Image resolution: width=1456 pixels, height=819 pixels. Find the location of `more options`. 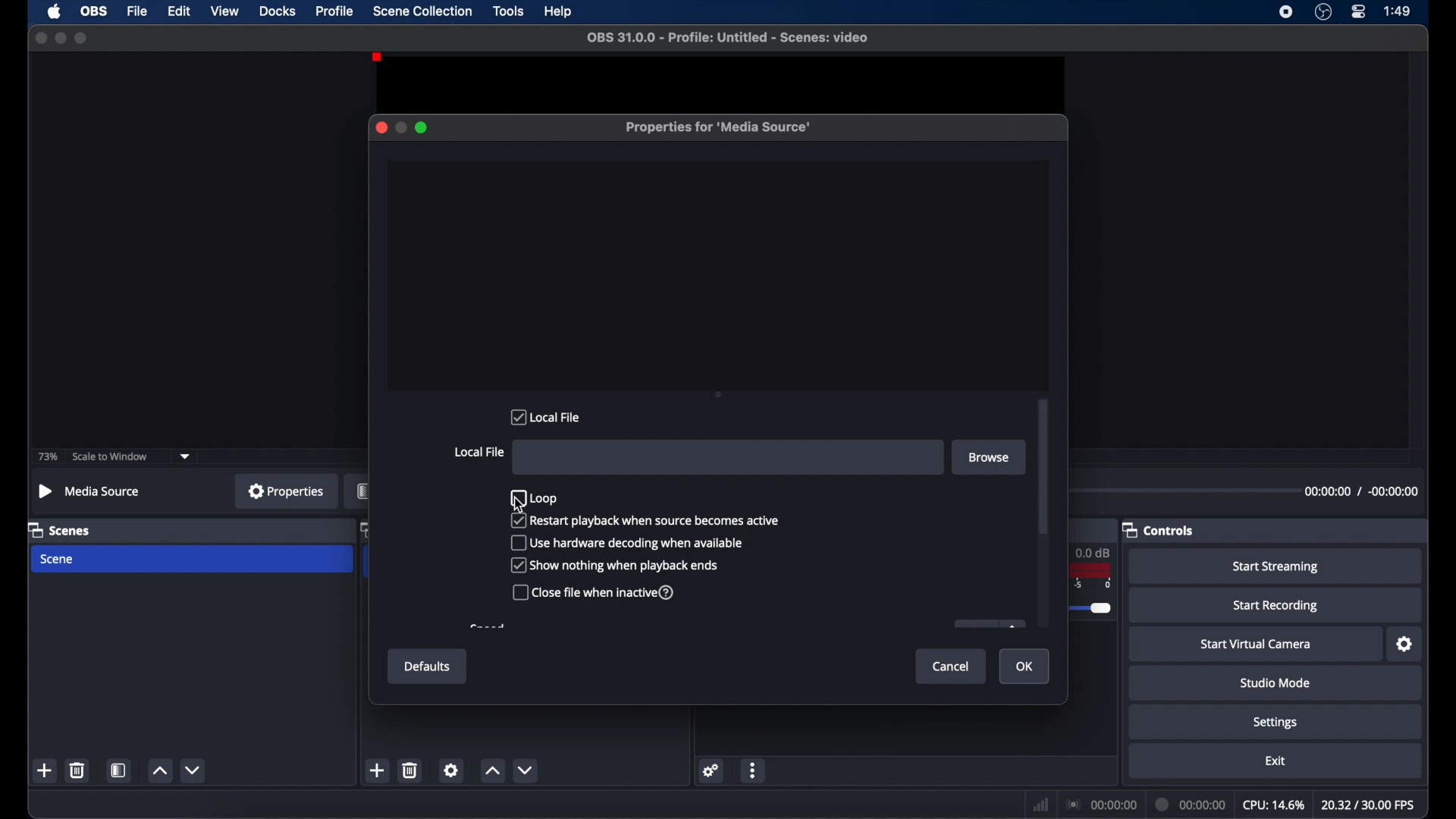

more options is located at coordinates (755, 770).